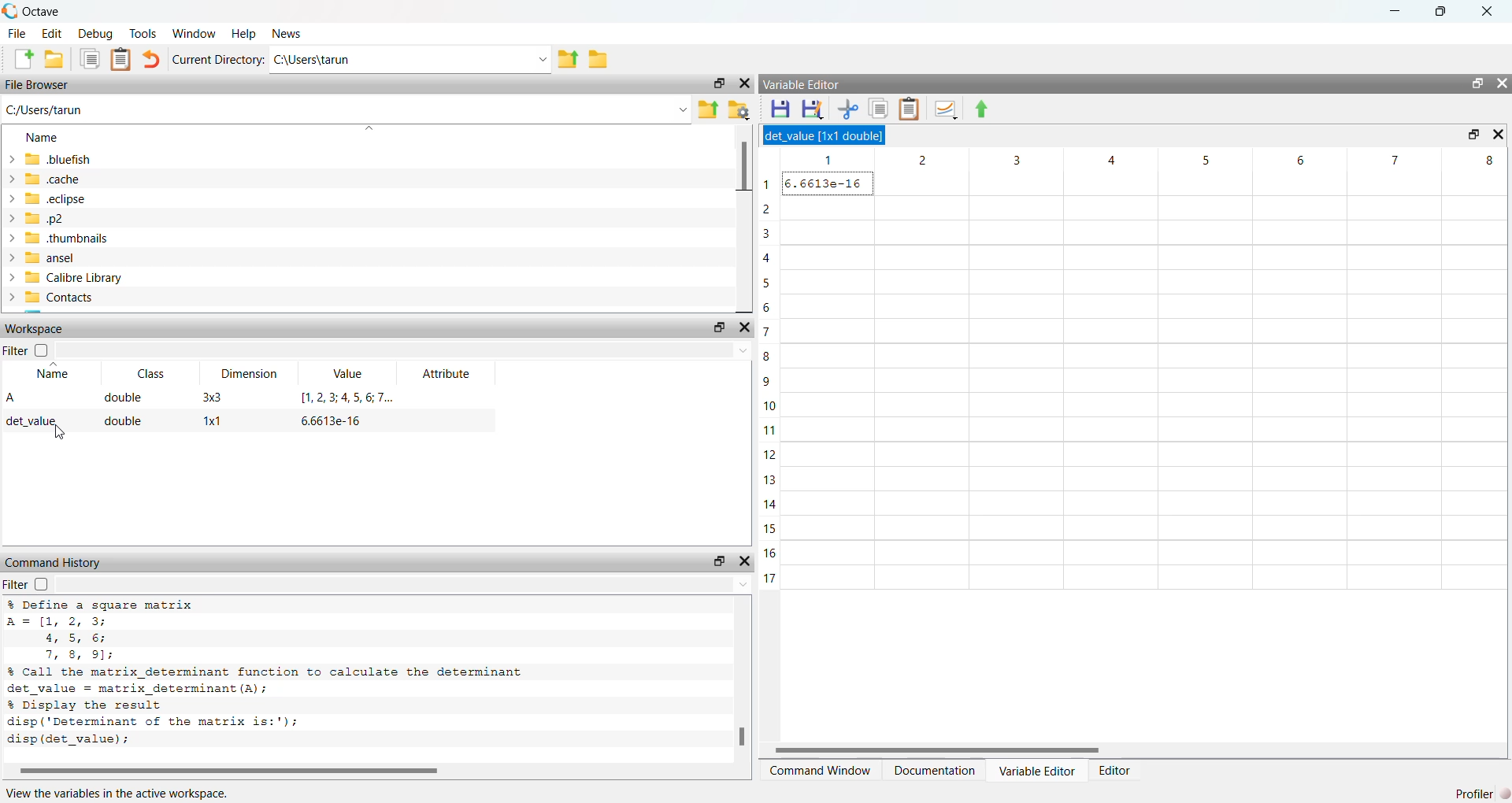  Describe the element at coordinates (153, 60) in the screenshot. I see `undo` at that location.